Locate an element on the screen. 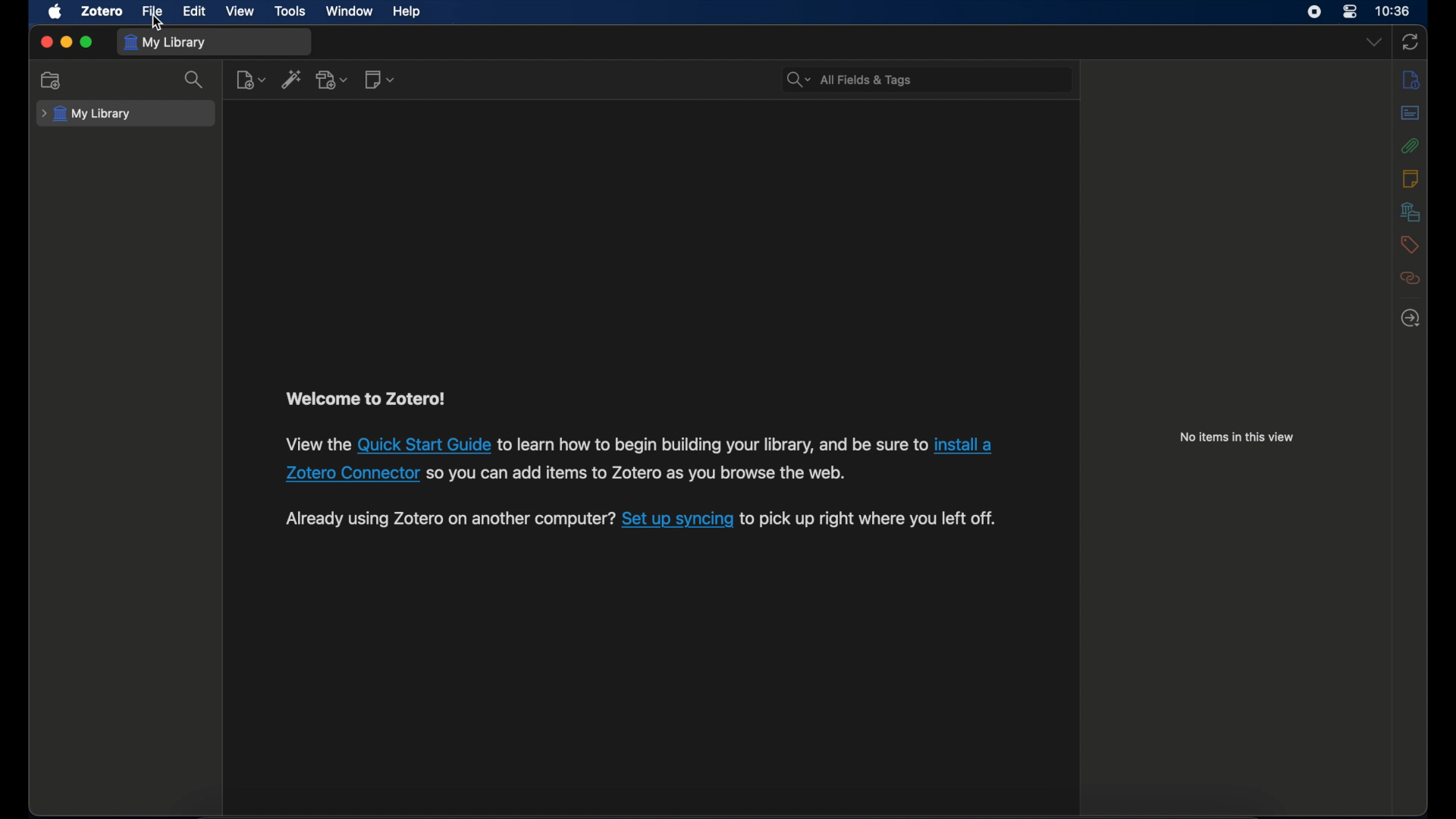 This screenshot has height=819, width=1456. new collection is located at coordinates (51, 80).